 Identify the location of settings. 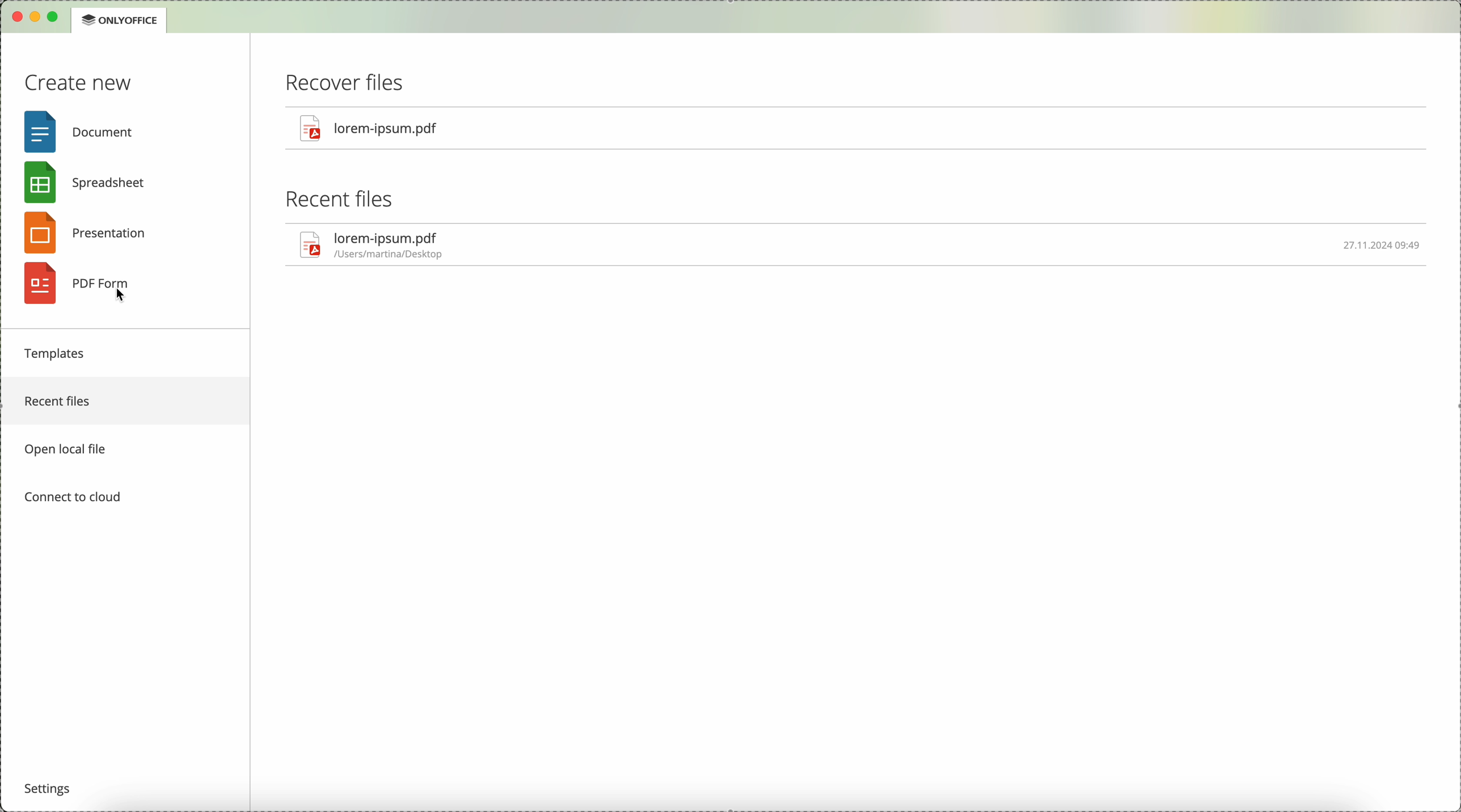
(52, 786).